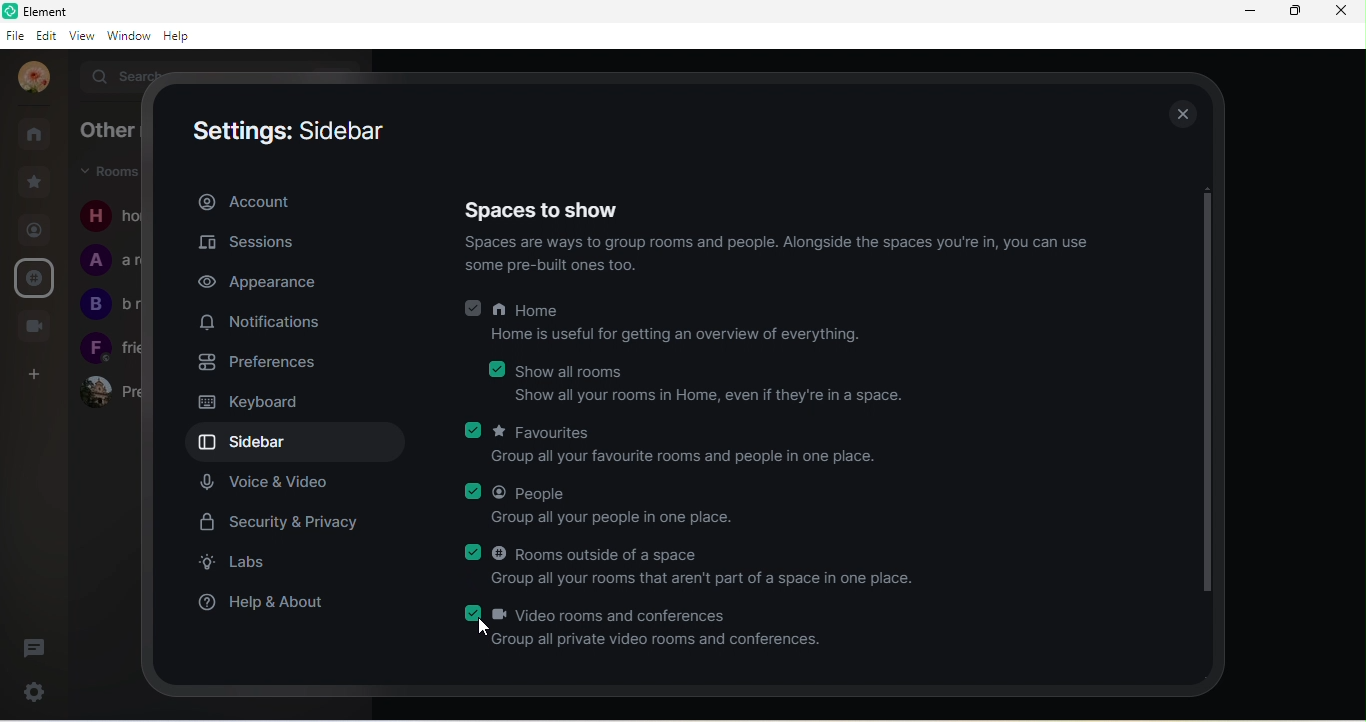  What do you see at coordinates (300, 443) in the screenshot?
I see `sidebar` at bounding box center [300, 443].